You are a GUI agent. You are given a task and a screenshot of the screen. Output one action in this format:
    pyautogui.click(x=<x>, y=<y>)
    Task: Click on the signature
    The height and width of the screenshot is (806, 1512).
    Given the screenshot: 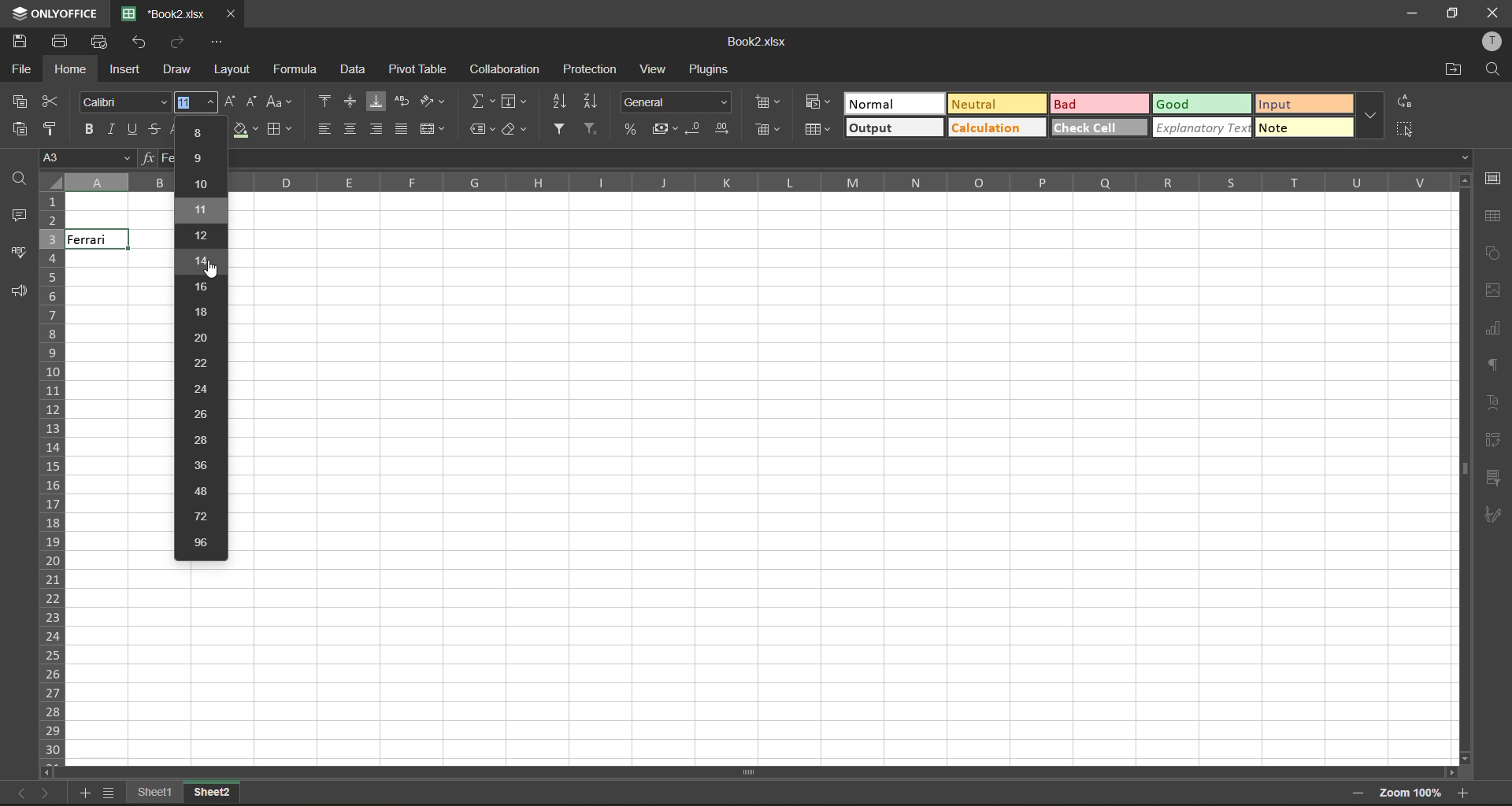 What is the action you would take?
    pyautogui.click(x=1495, y=517)
    